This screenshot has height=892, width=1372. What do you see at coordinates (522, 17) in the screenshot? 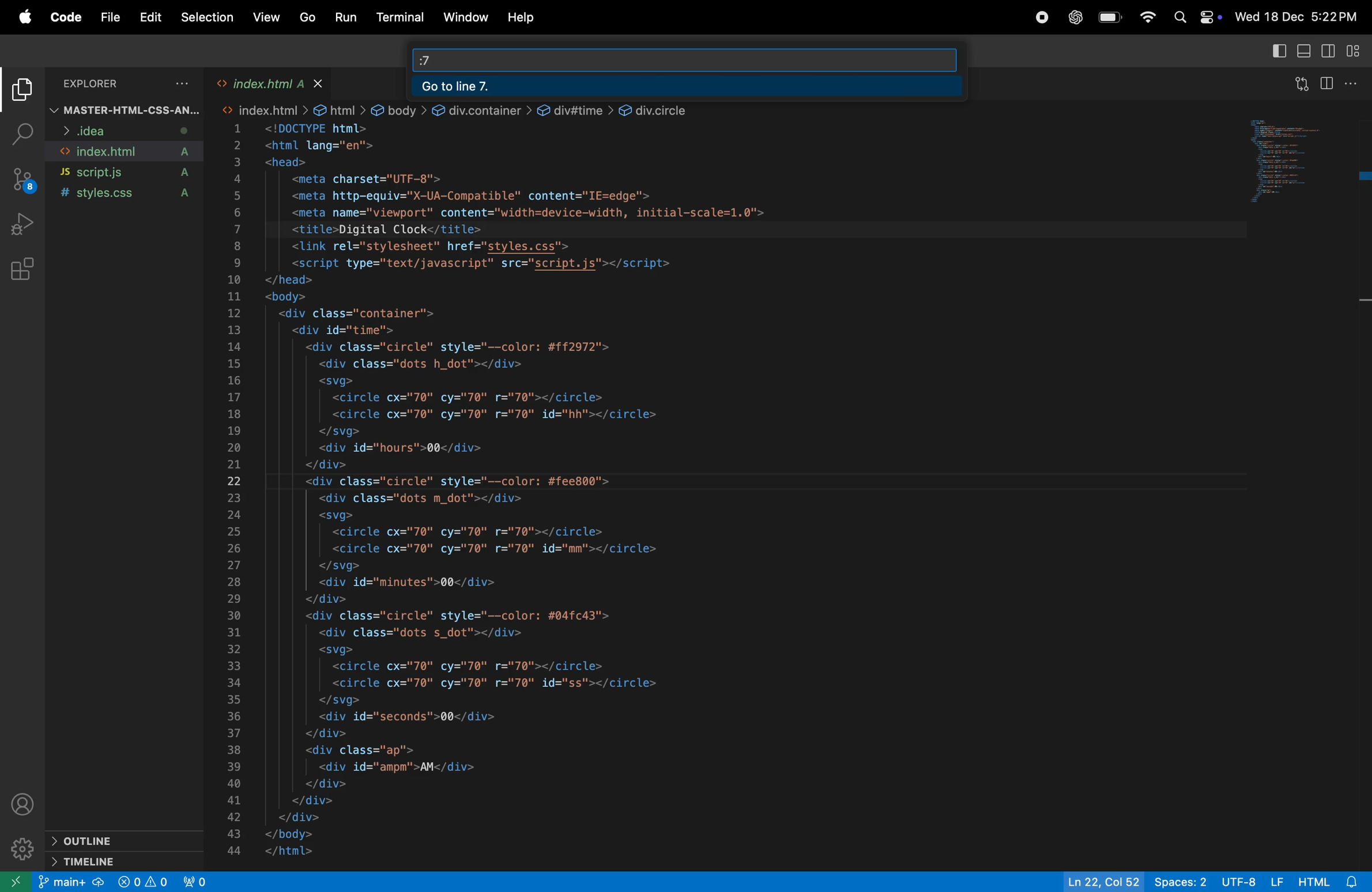
I see `help` at bounding box center [522, 17].